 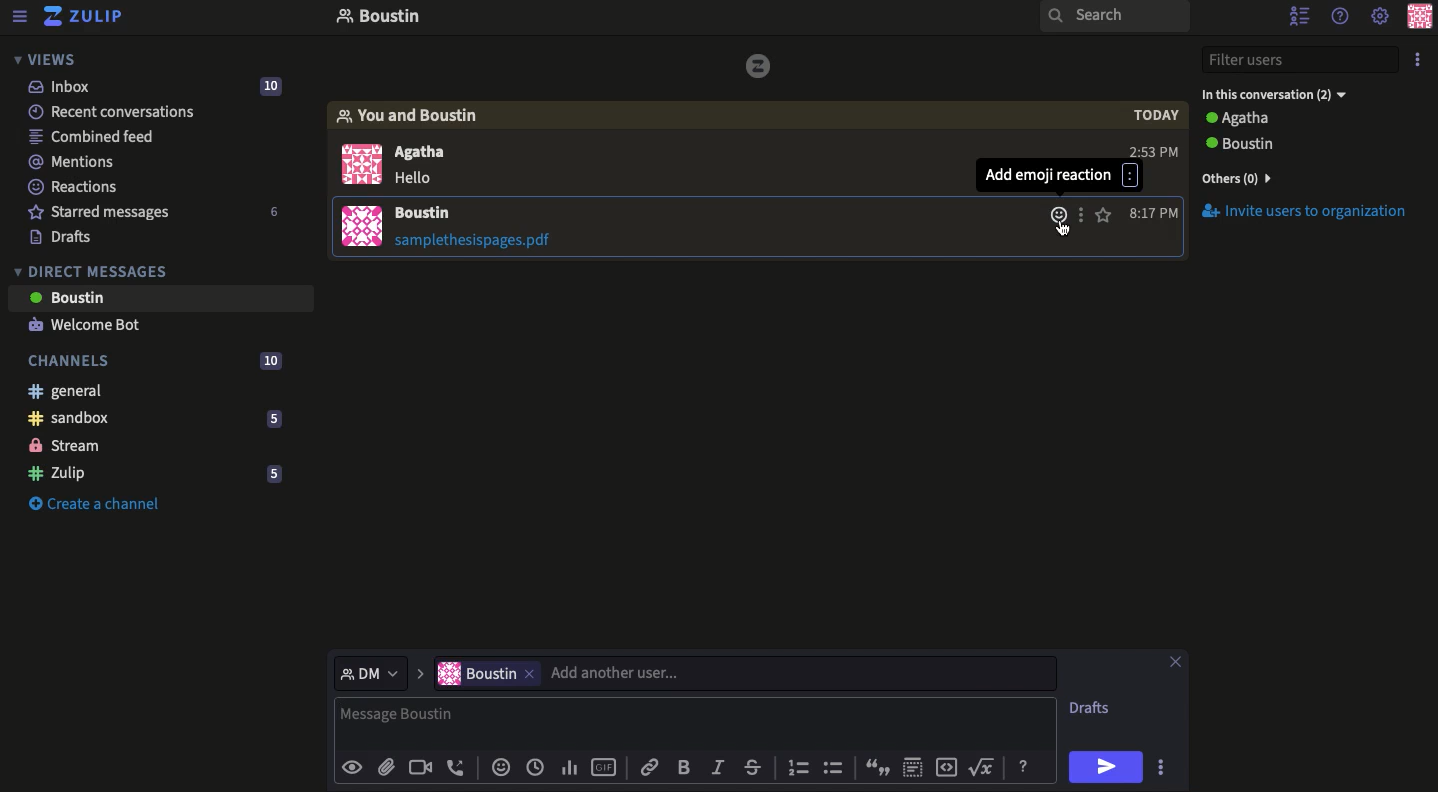 What do you see at coordinates (689, 766) in the screenshot?
I see `Bold` at bounding box center [689, 766].